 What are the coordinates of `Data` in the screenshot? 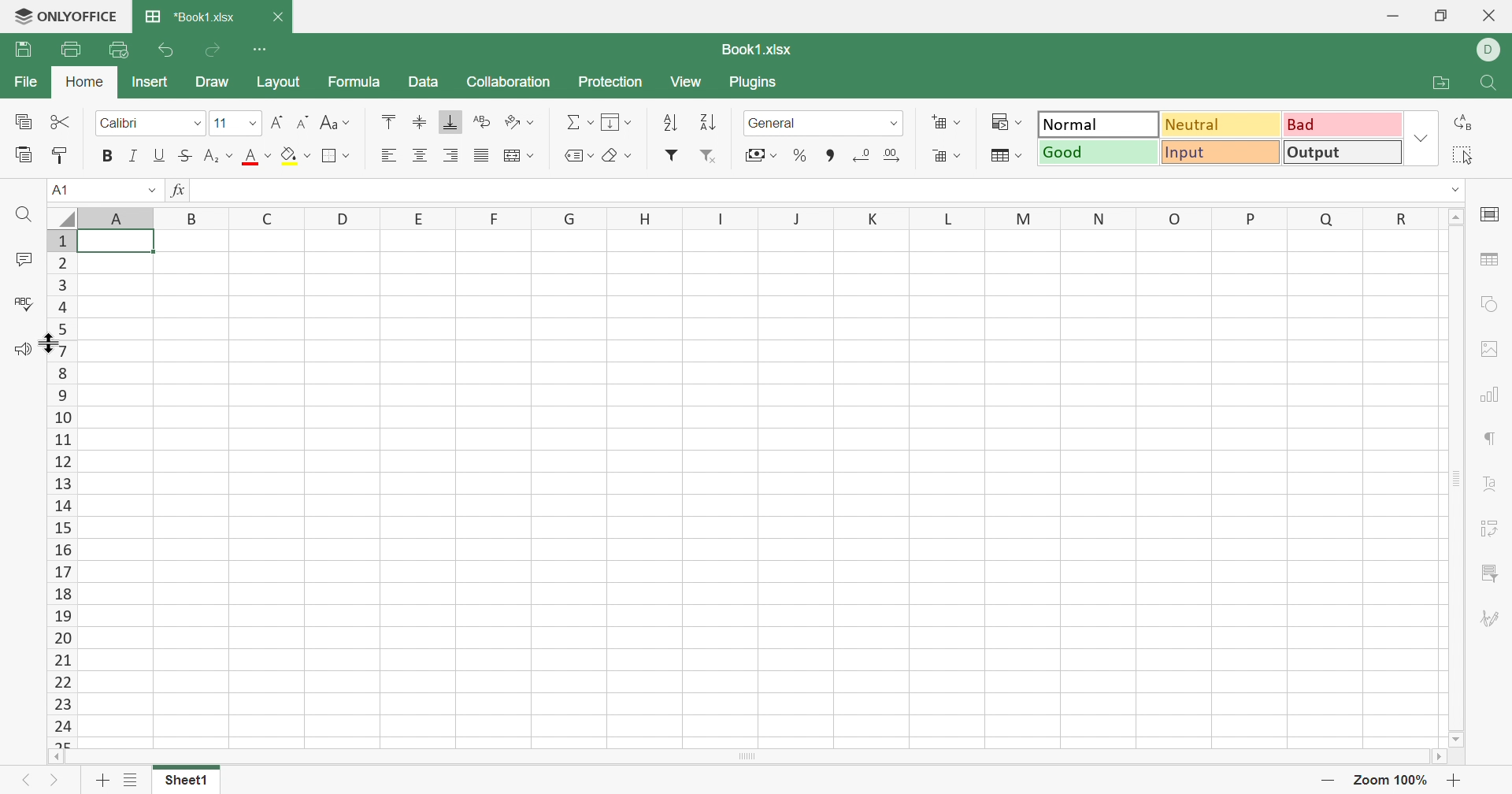 It's located at (423, 82).